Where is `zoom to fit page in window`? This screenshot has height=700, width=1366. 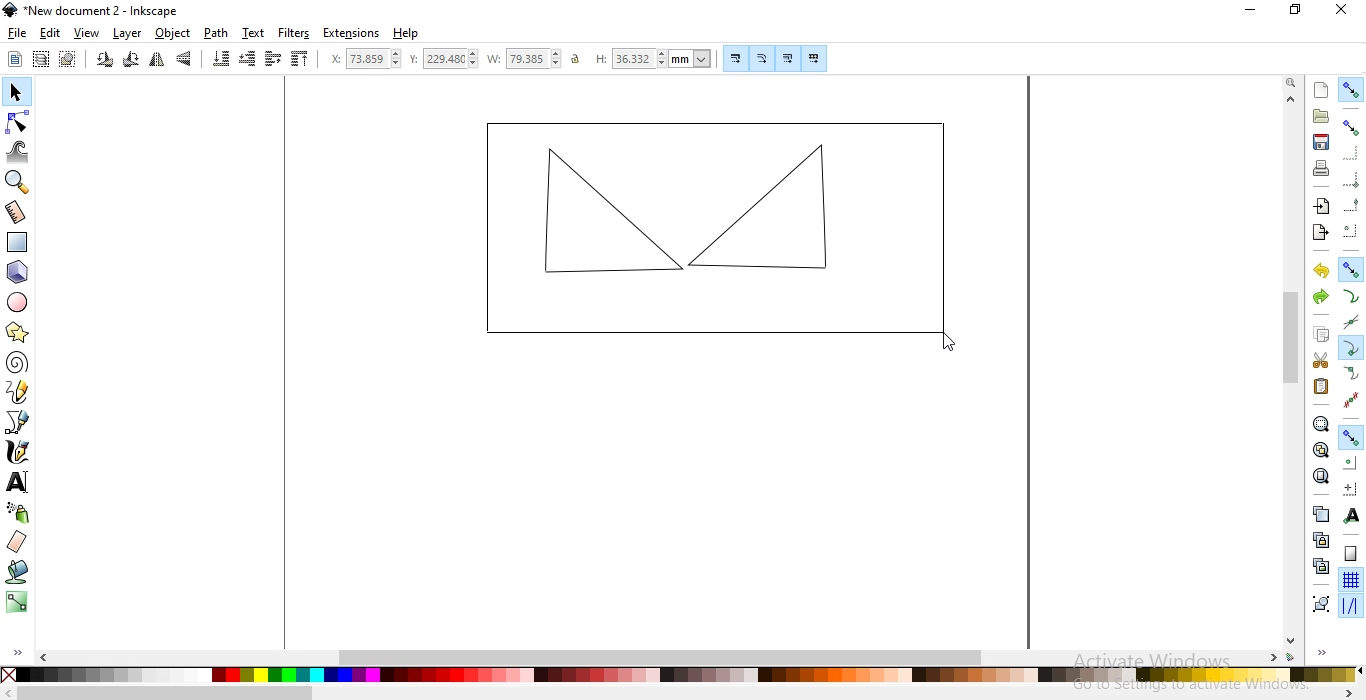 zoom to fit page in window is located at coordinates (1321, 475).